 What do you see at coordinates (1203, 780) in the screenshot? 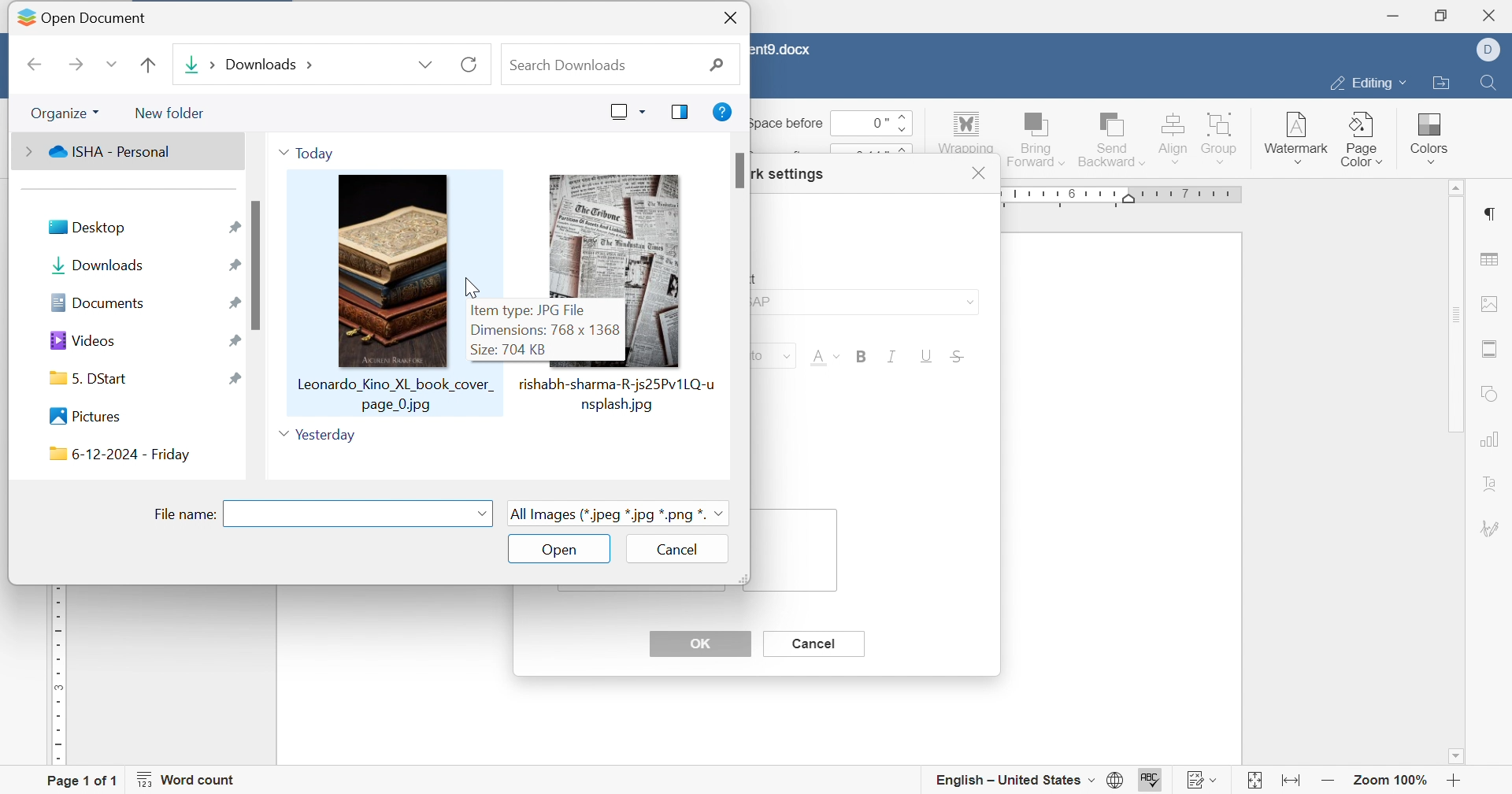
I see `track changes` at bounding box center [1203, 780].